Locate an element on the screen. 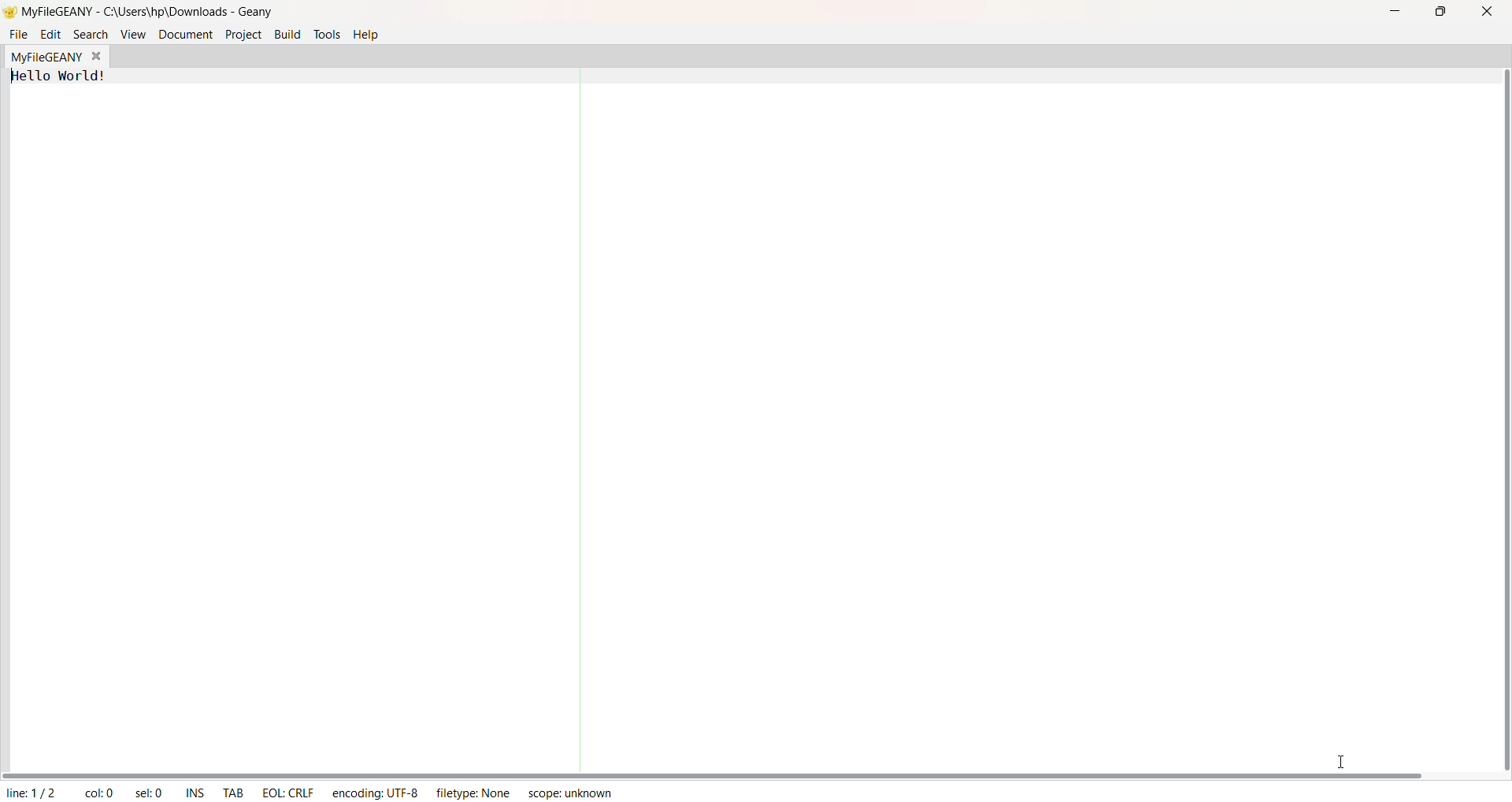 This screenshot has height=802, width=1512. Minimize is located at coordinates (1391, 12).